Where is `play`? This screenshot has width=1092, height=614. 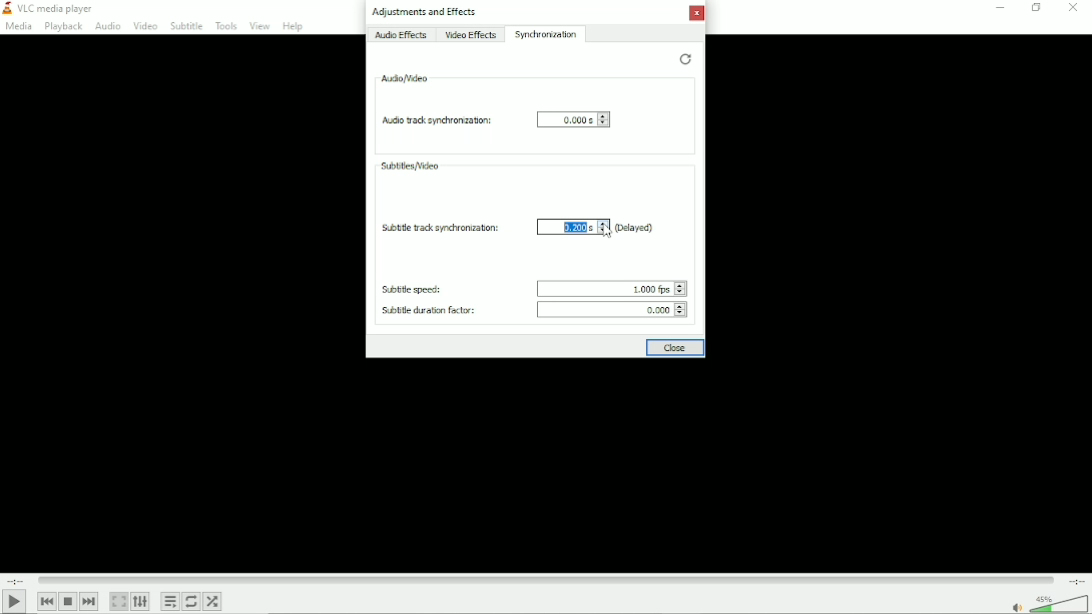 play is located at coordinates (14, 601).